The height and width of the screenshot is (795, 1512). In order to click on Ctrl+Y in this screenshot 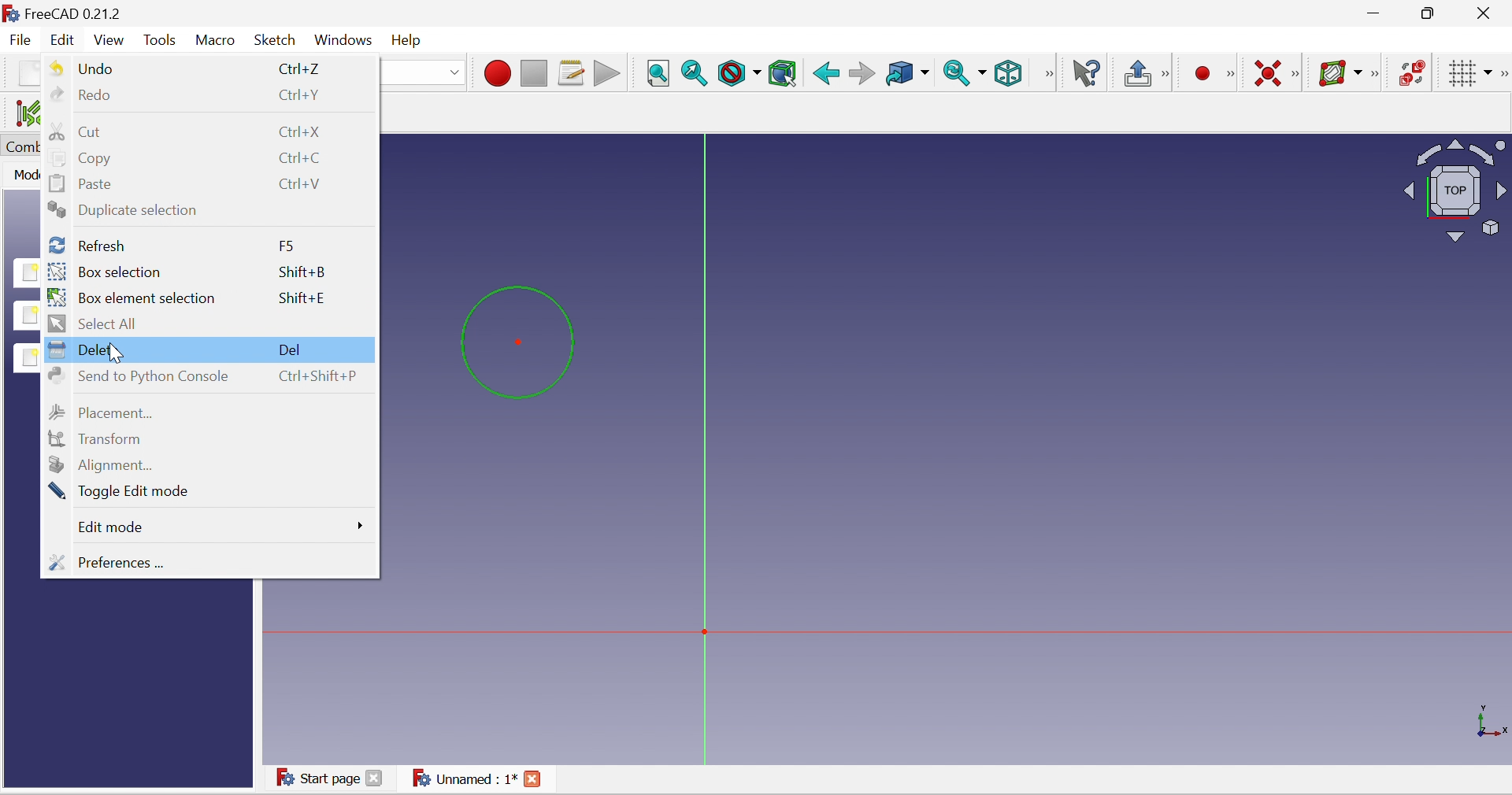, I will do `click(303, 95)`.